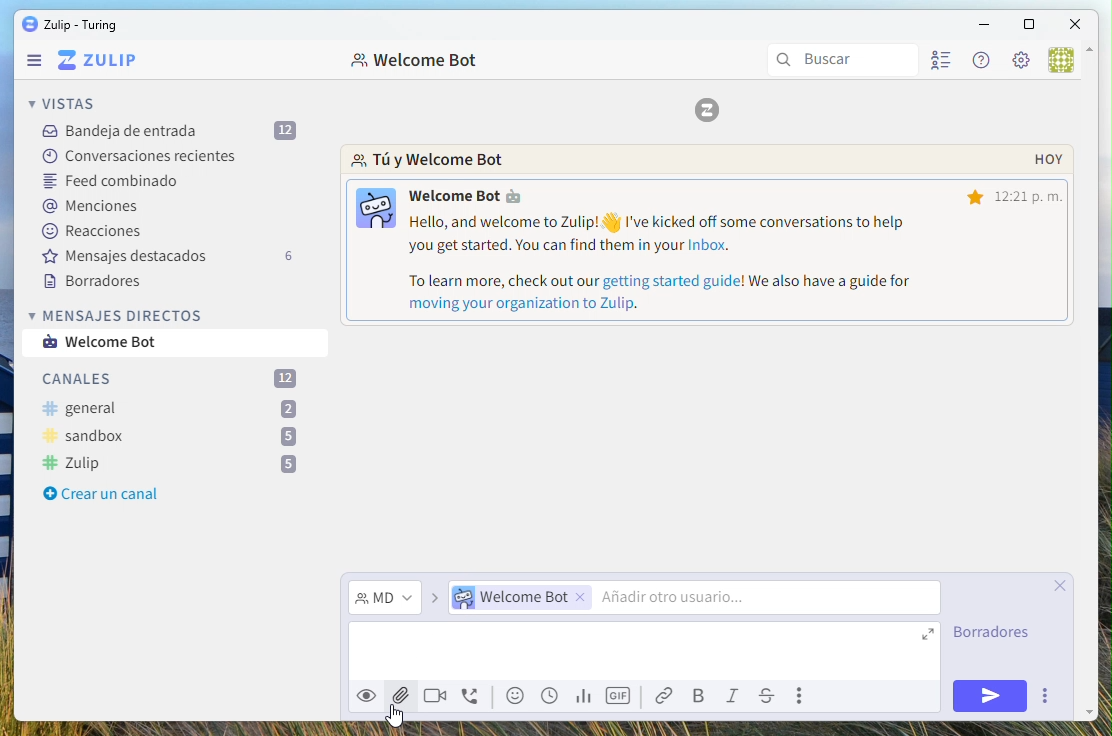  What do you see at coordinates (1091, 52) in the screenshot?
I see `hide menu` at bounding box center [1091, 52].